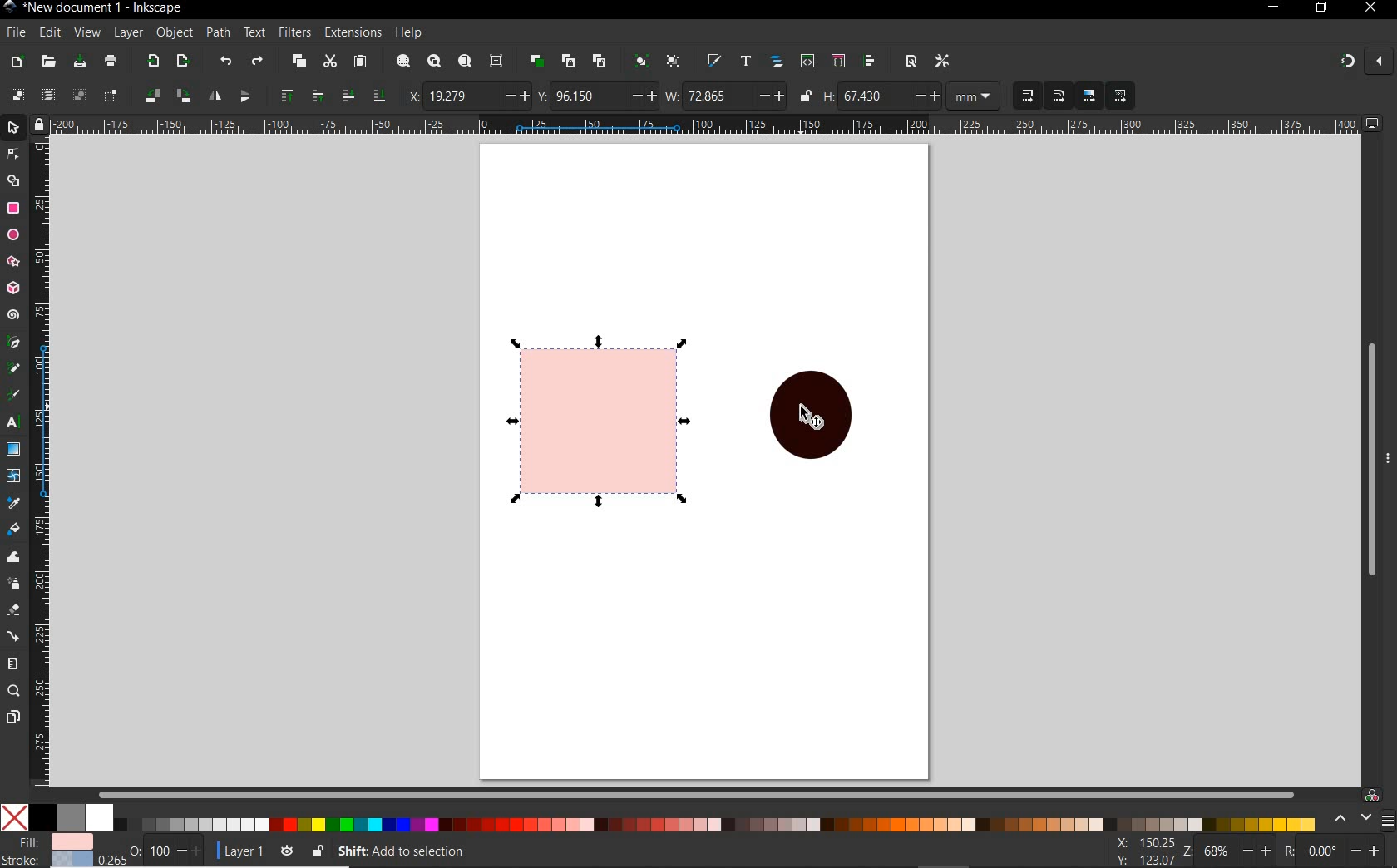 The height and width of the screenshot is (868, 1397). Describe the element at coordinates (1339, 852) in the screenshot. I see `rotate` at that location.